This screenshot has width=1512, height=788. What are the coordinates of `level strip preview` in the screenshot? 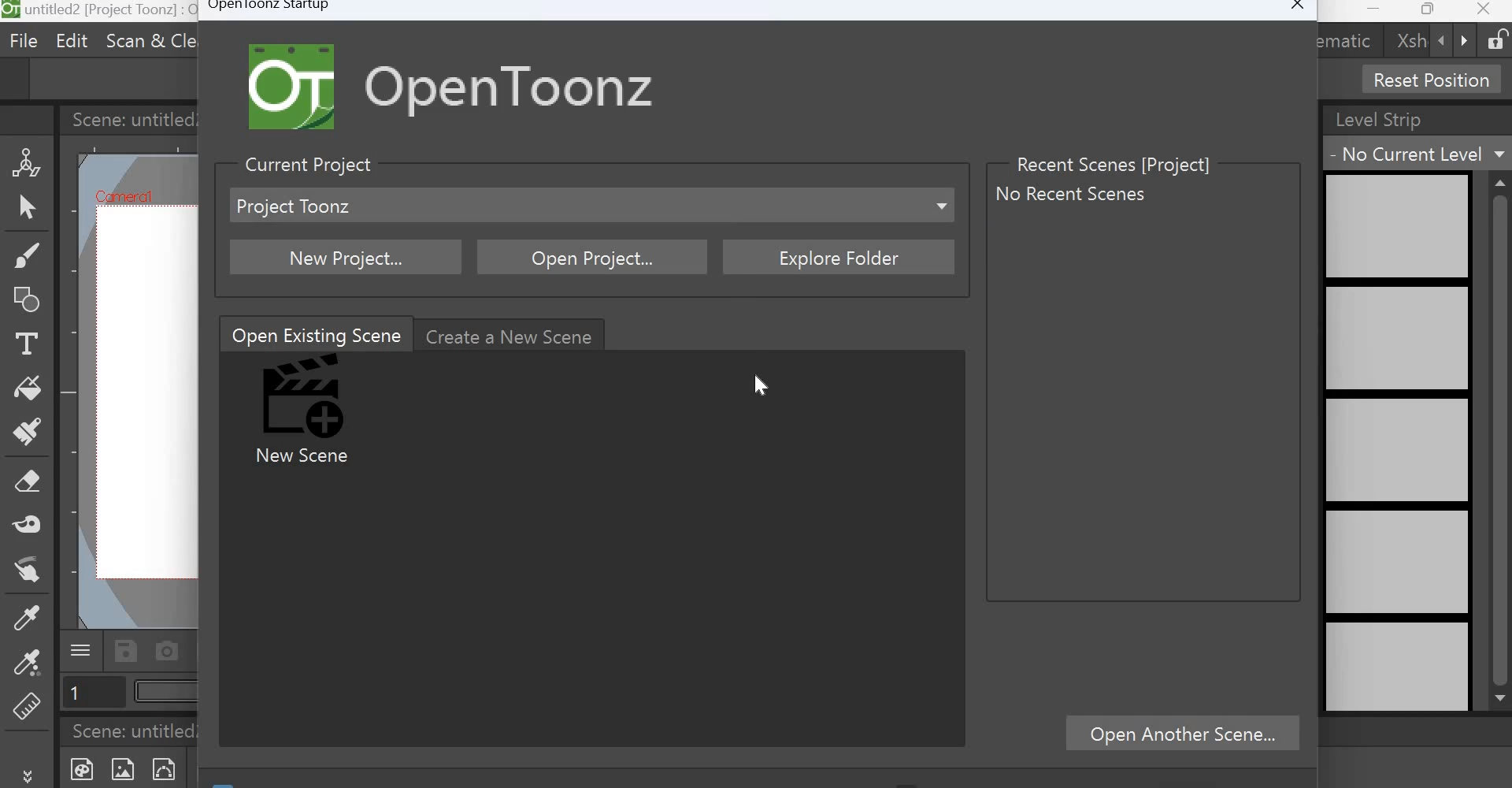 It's located at (1395, 449).